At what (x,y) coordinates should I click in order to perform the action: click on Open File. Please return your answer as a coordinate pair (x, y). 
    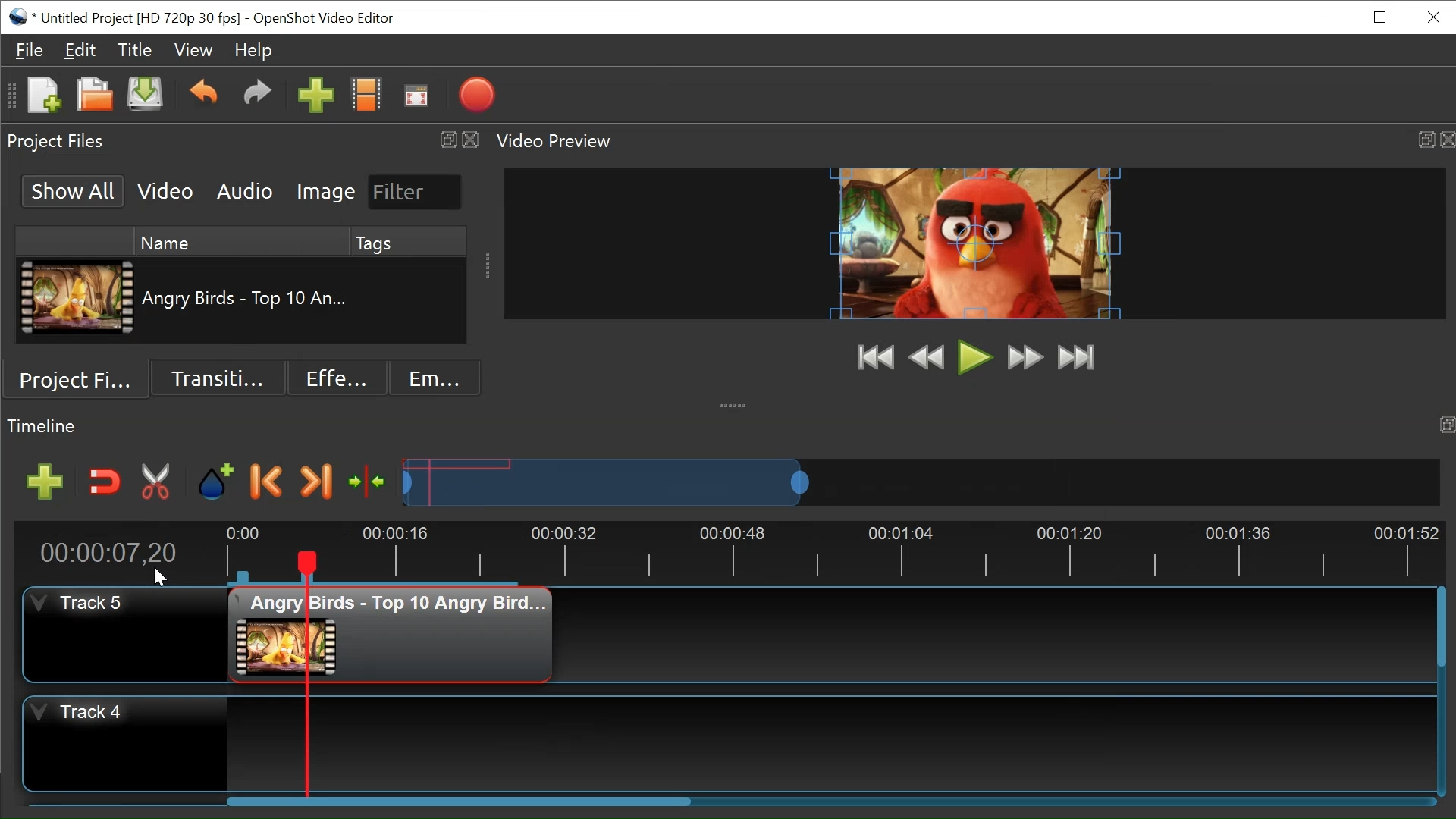
    Looking at the image, I should click on (96, 96).